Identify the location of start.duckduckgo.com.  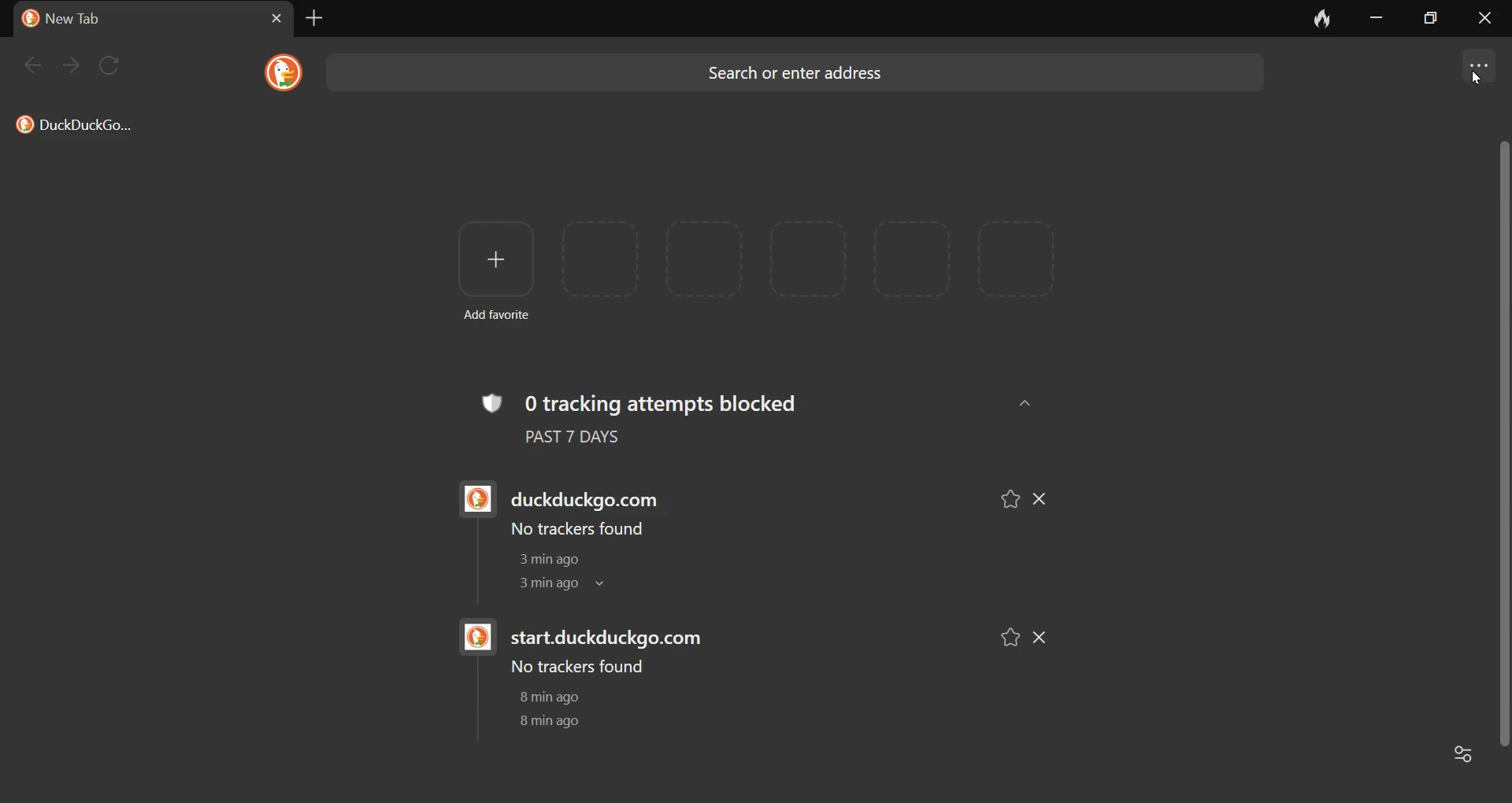
(617, 636).